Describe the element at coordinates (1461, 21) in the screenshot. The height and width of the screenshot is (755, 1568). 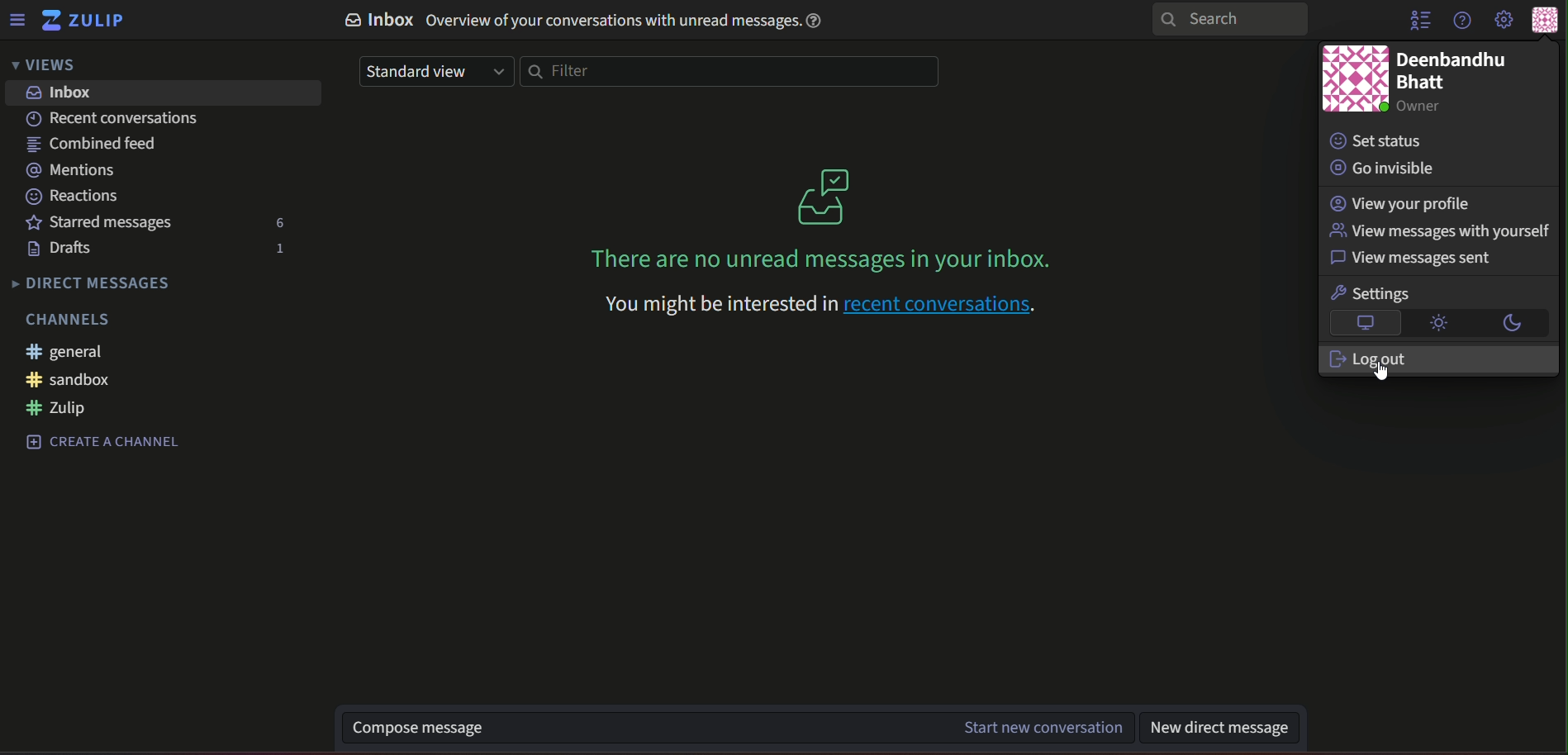
I see `help menu` at that location.